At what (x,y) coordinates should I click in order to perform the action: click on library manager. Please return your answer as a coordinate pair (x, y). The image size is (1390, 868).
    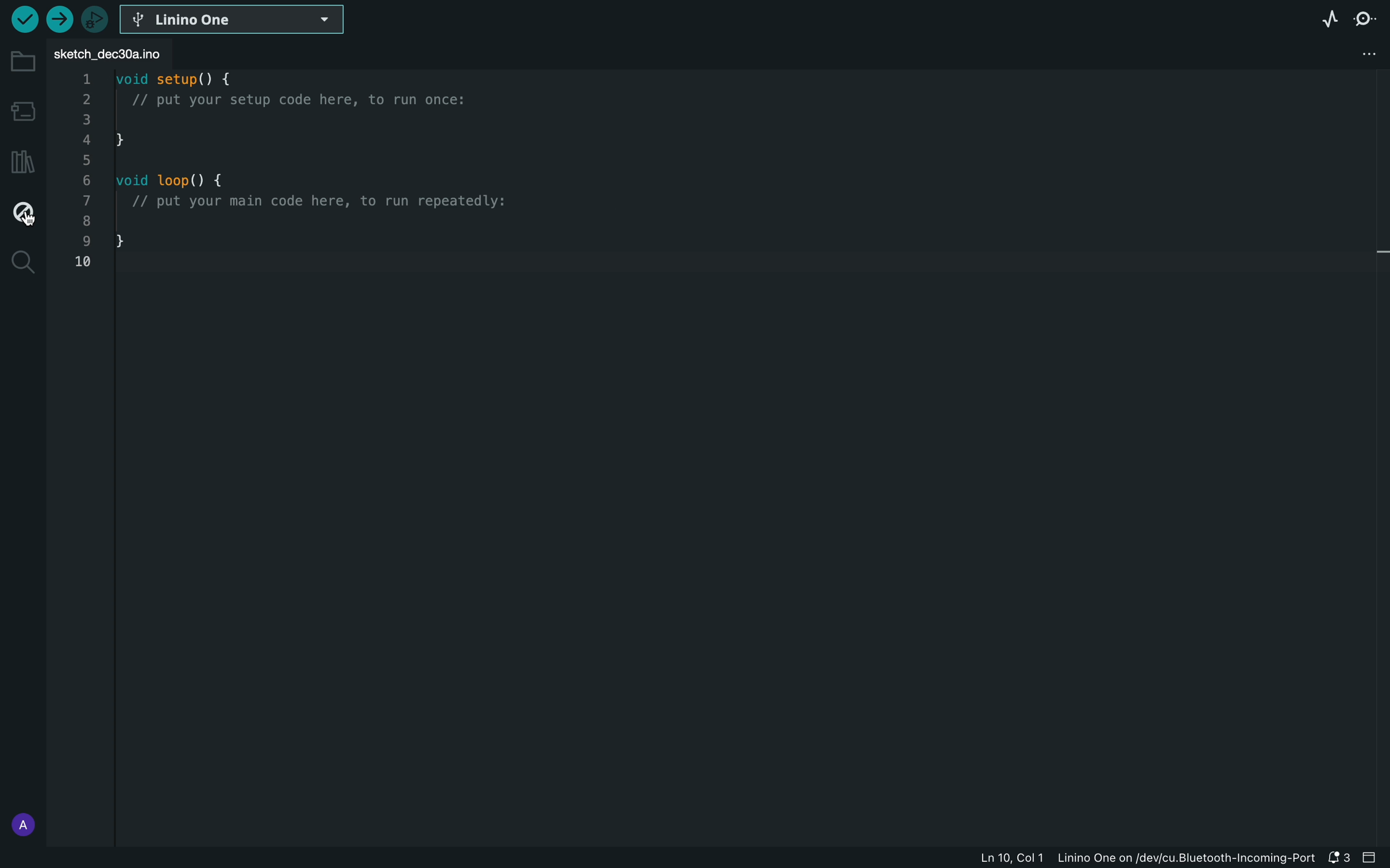
    Looking at the image, I should click on (23, 162).